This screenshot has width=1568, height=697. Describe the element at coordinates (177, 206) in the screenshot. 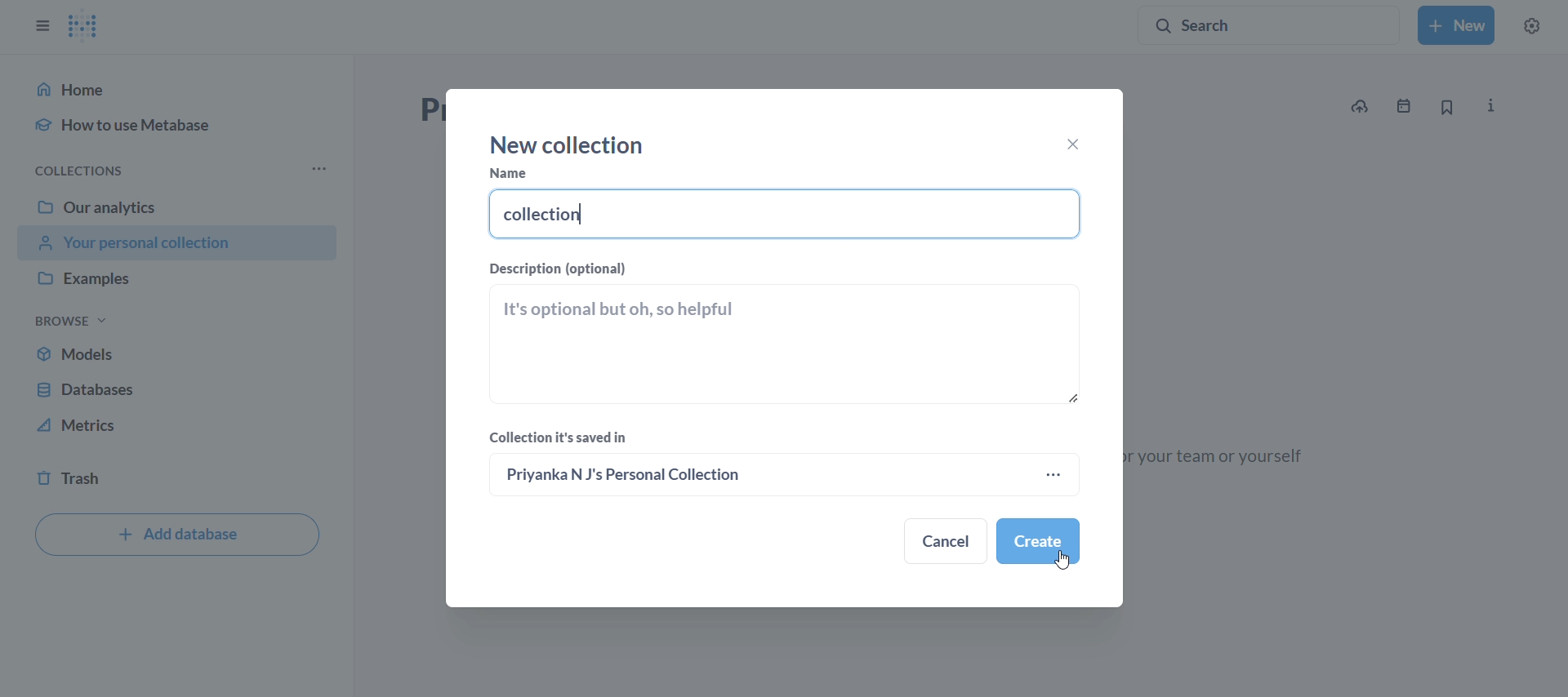

I see `our analytics` at that location.